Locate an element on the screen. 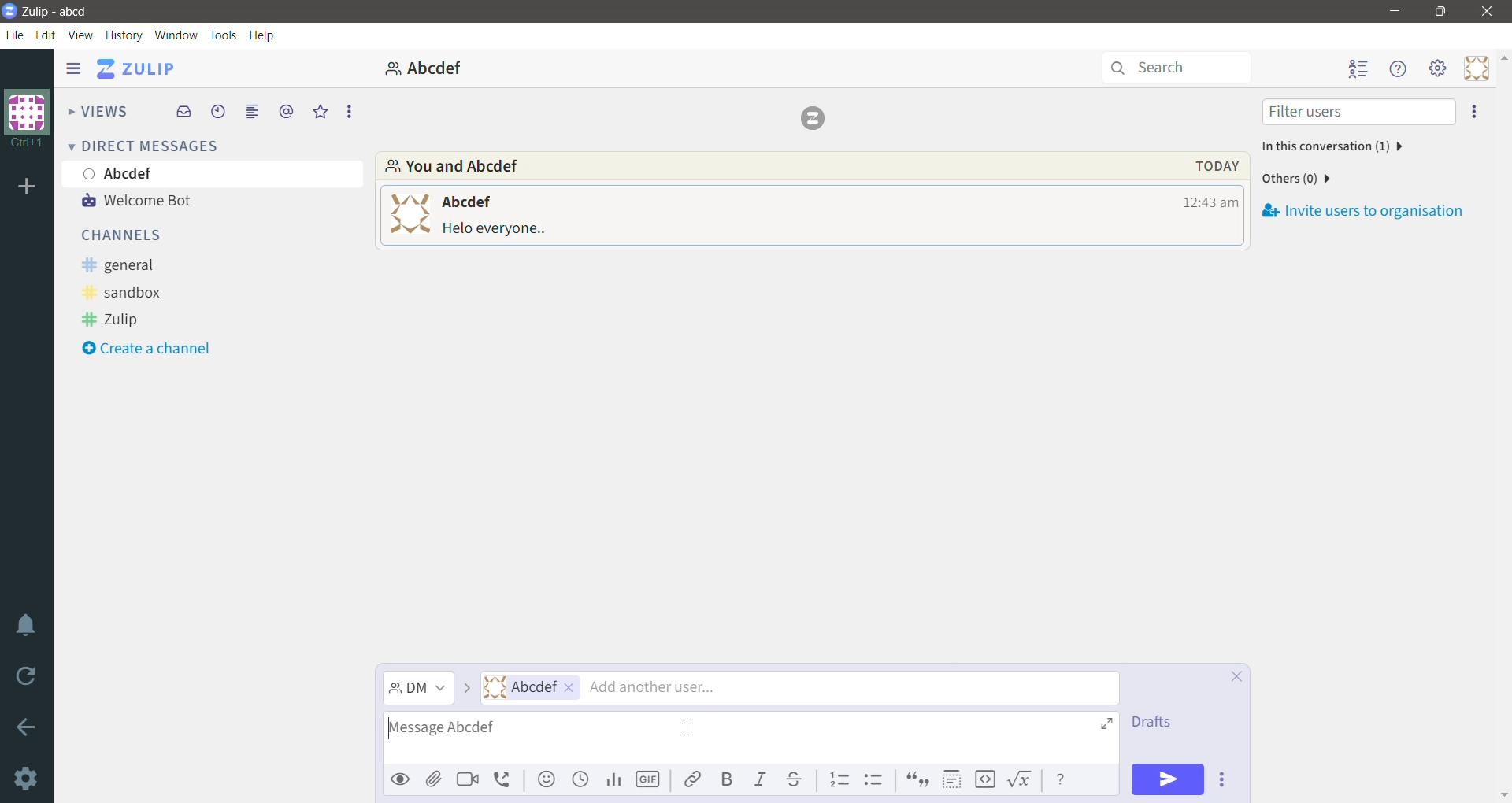 This screenshot has width=1512, height=803. Spoiler is located at coordinates (953, 779).